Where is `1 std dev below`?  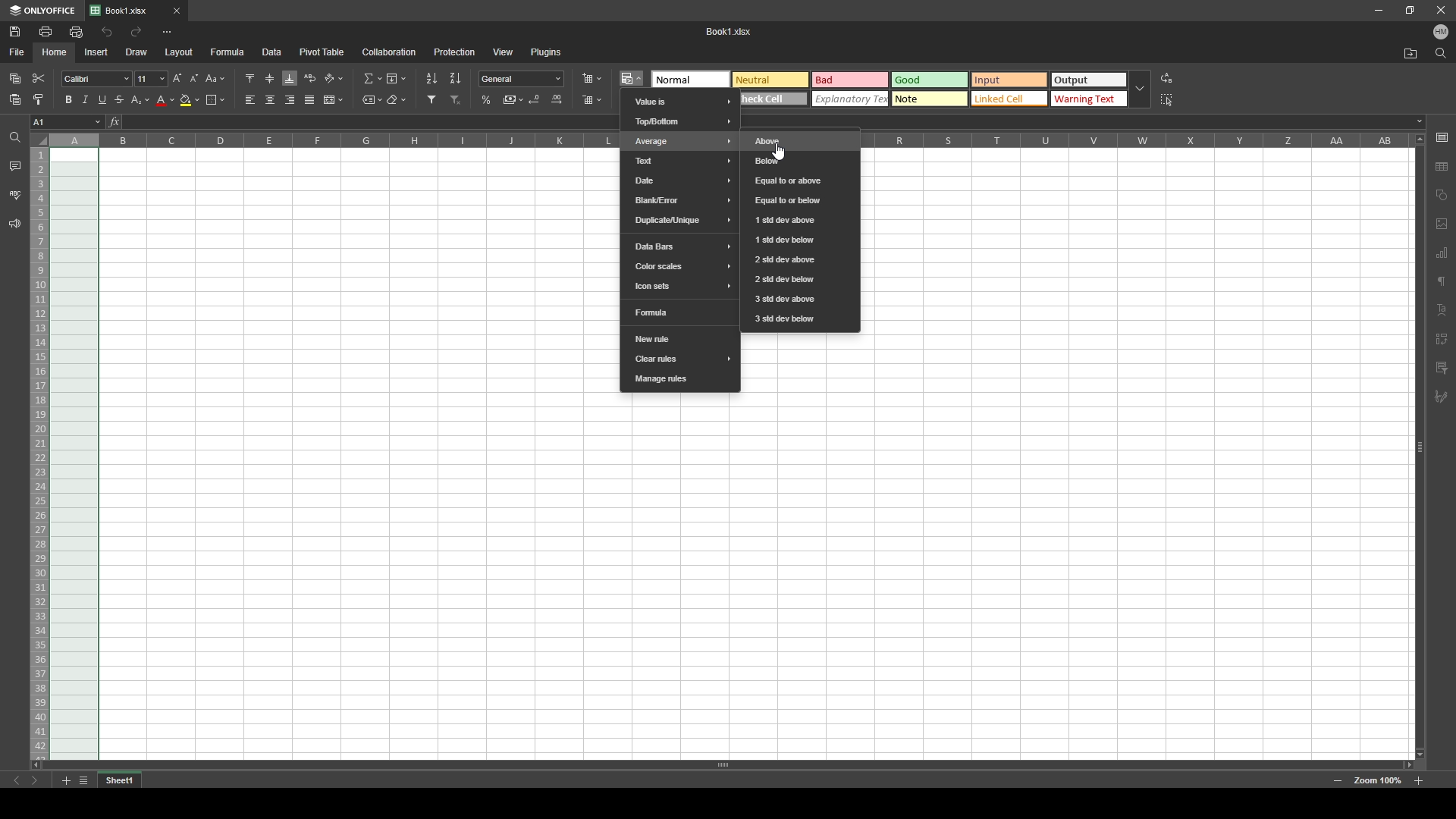 1 std dev below is located at coordinates (800, 240).